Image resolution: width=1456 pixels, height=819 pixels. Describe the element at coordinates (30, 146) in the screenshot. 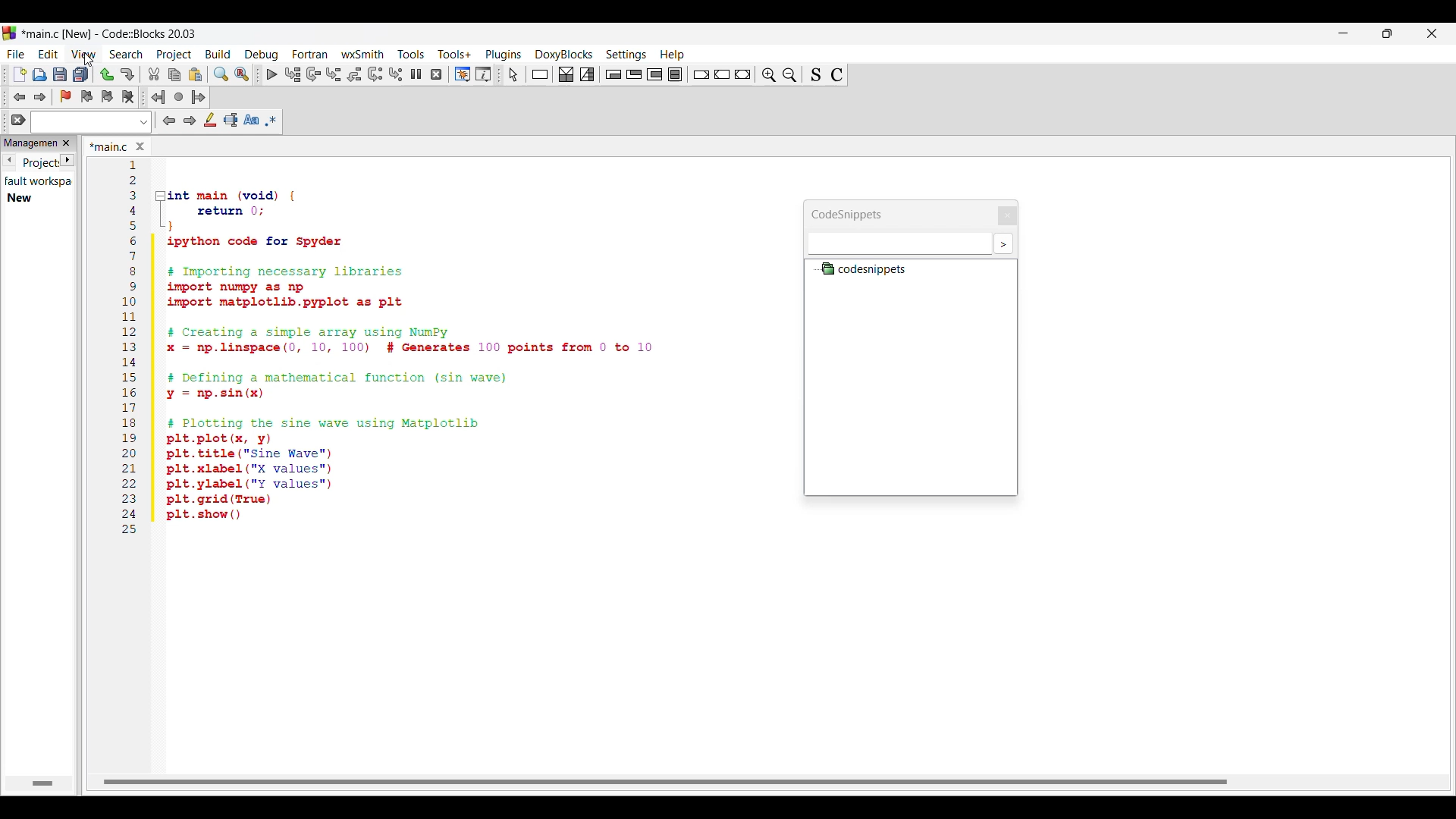

I see `Panel title` at that location.